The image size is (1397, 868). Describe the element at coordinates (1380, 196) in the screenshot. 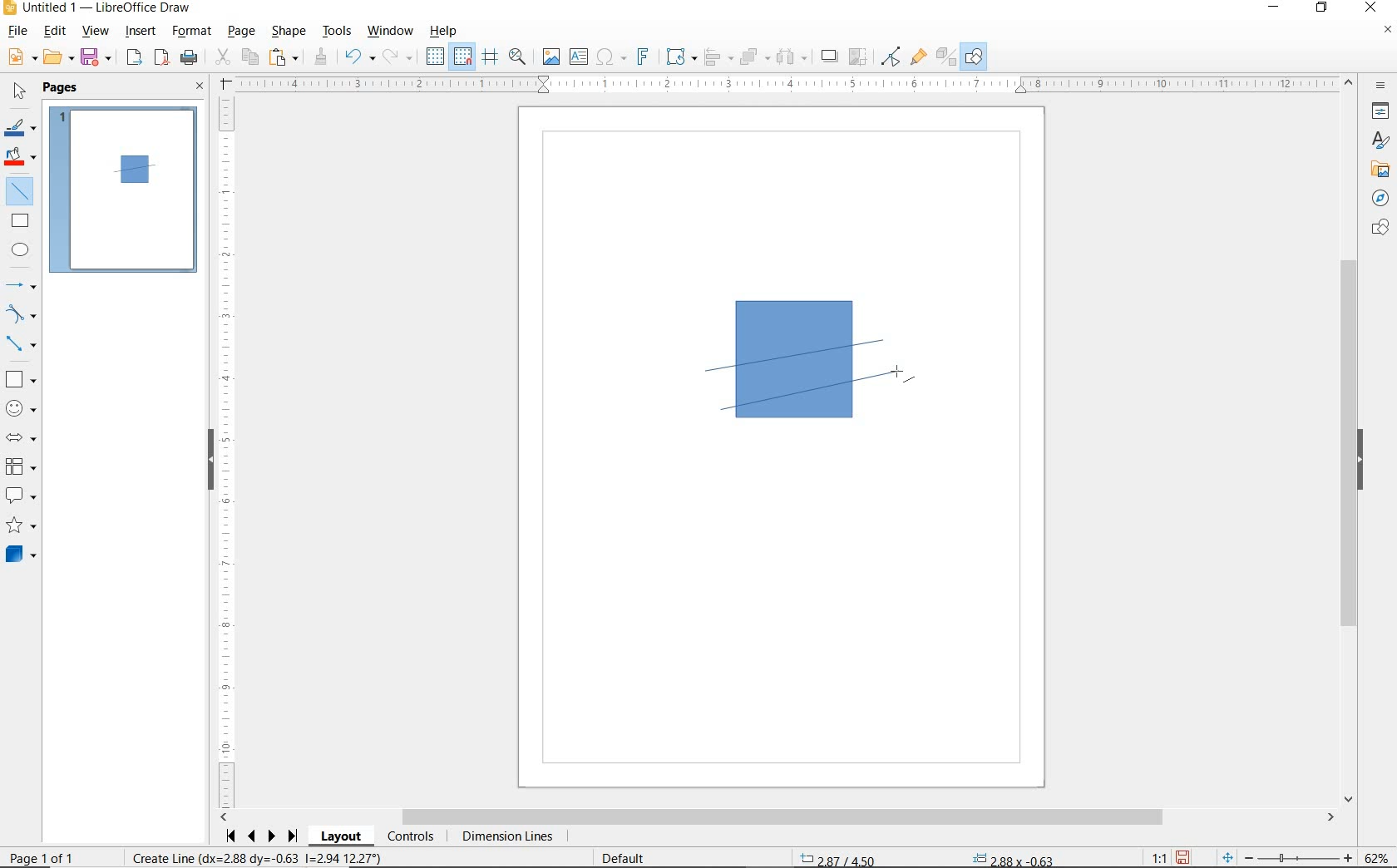

I see `NAVIGATOR` at that location.